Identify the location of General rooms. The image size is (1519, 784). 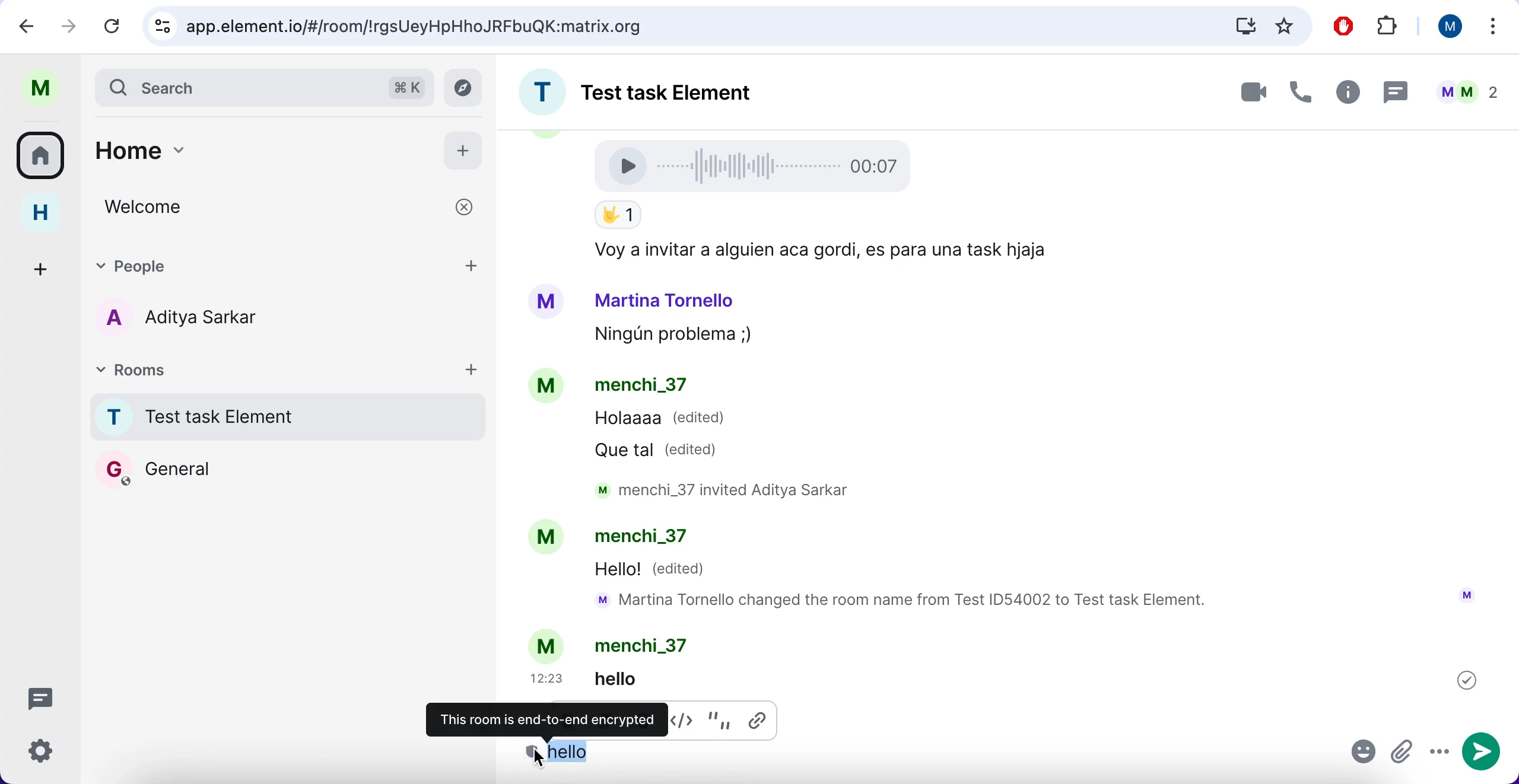
(288, 469).